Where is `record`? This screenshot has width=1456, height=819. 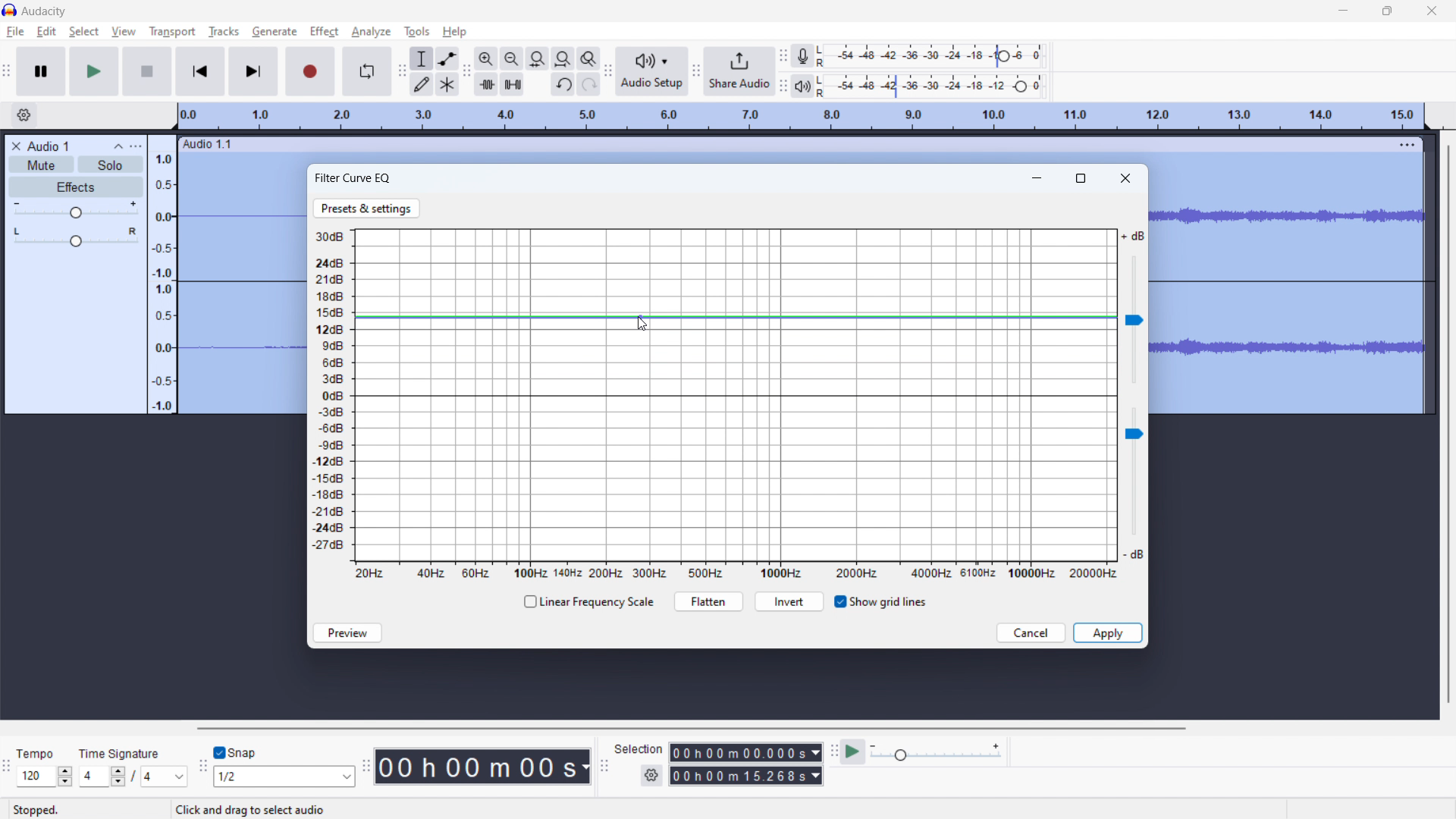
record is located at coordinates (311, 71).